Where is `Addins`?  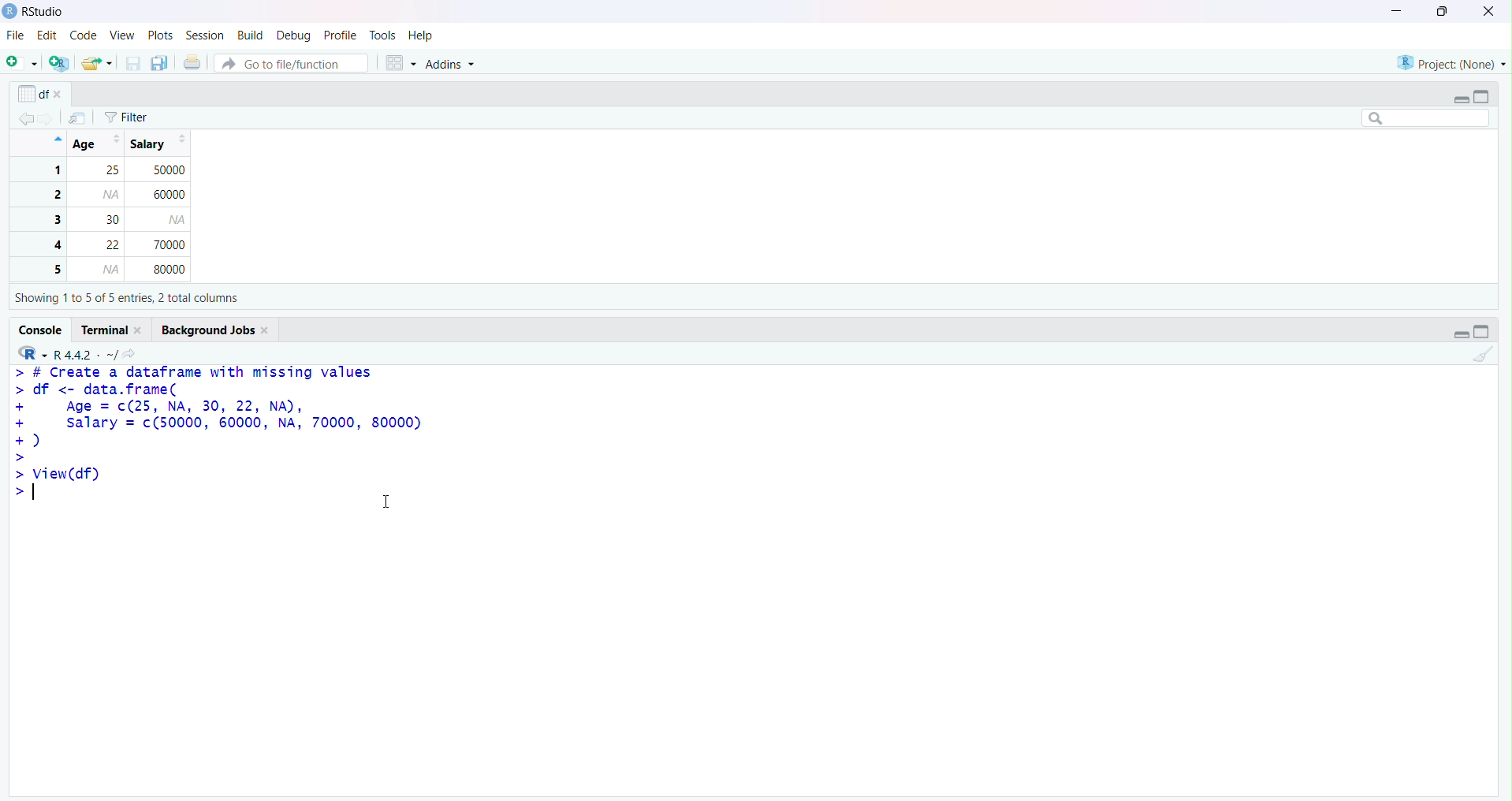 Addins is located at coordinates (450, 61).